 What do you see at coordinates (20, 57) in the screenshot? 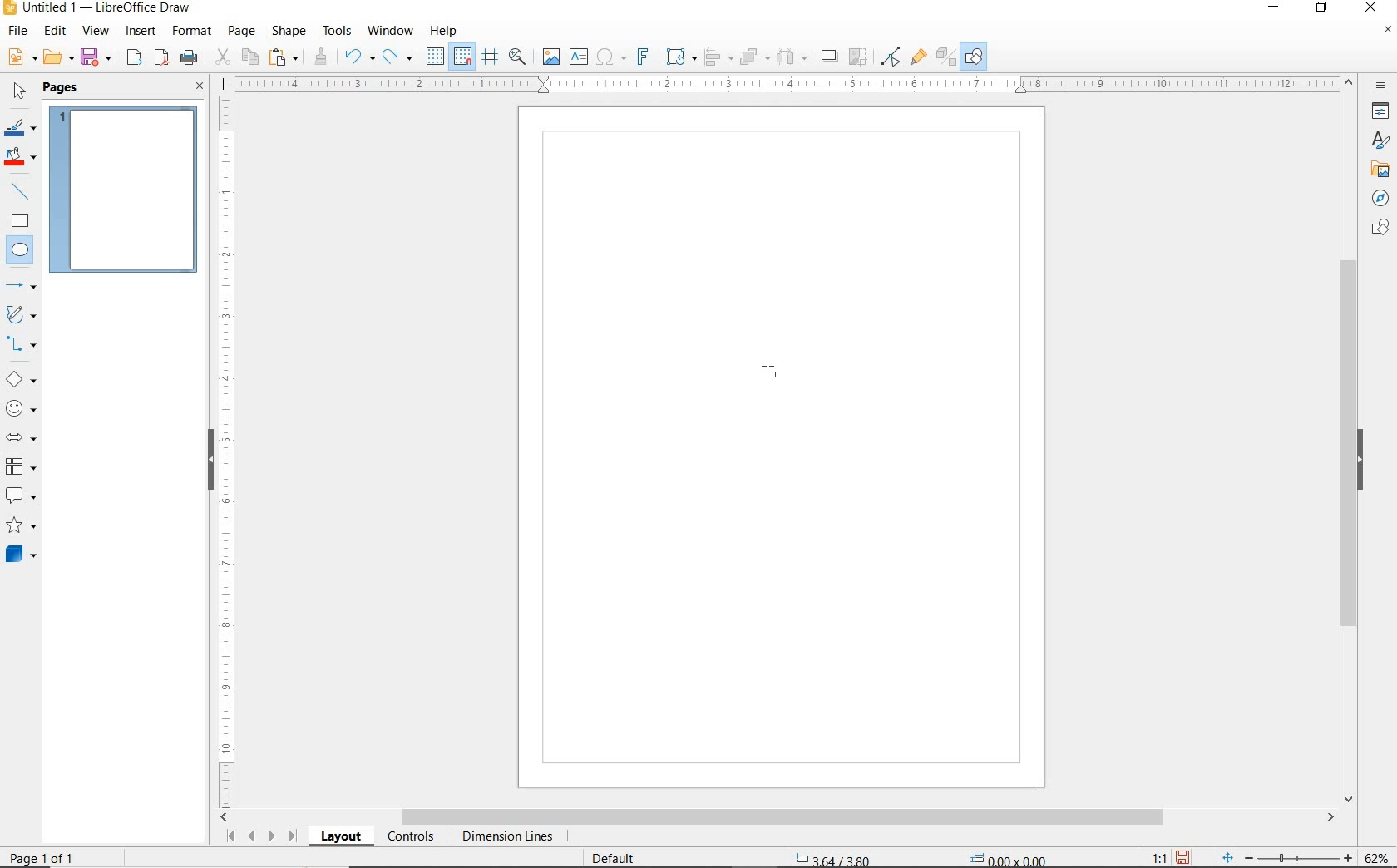
I see `NEW` at bounding box center [20, 57].